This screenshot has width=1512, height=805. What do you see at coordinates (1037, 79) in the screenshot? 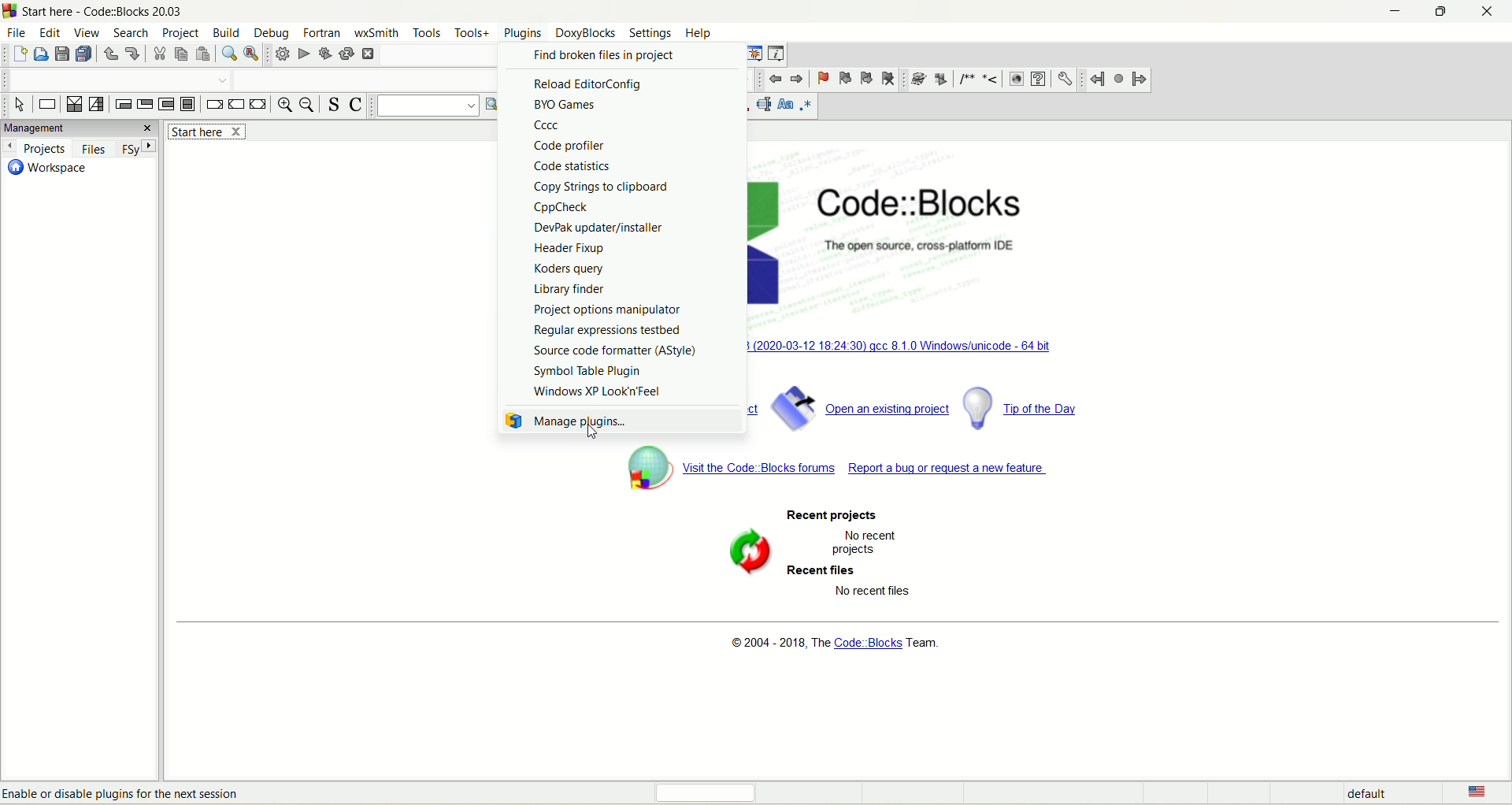
I see `help` at bounding box center [1037, 79].